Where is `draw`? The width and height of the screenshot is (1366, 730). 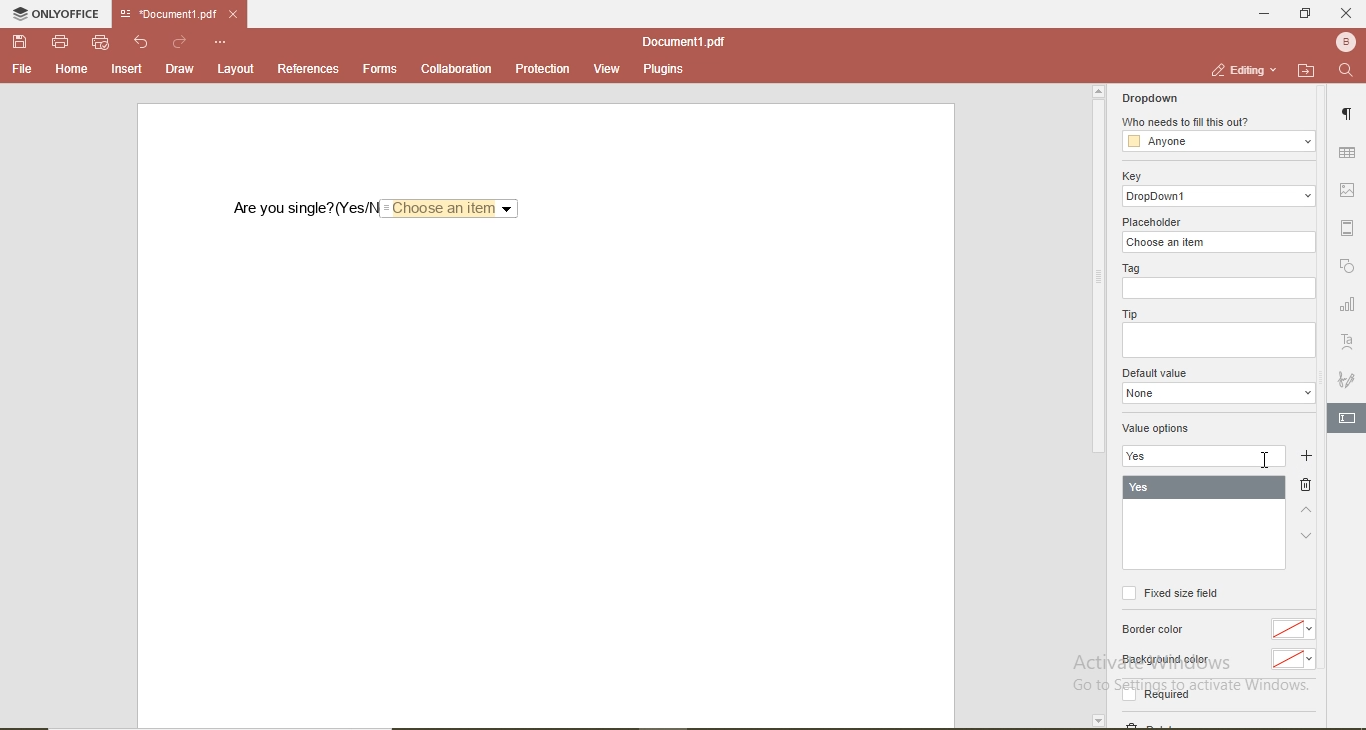
draw is located at coordinates (179, 69).